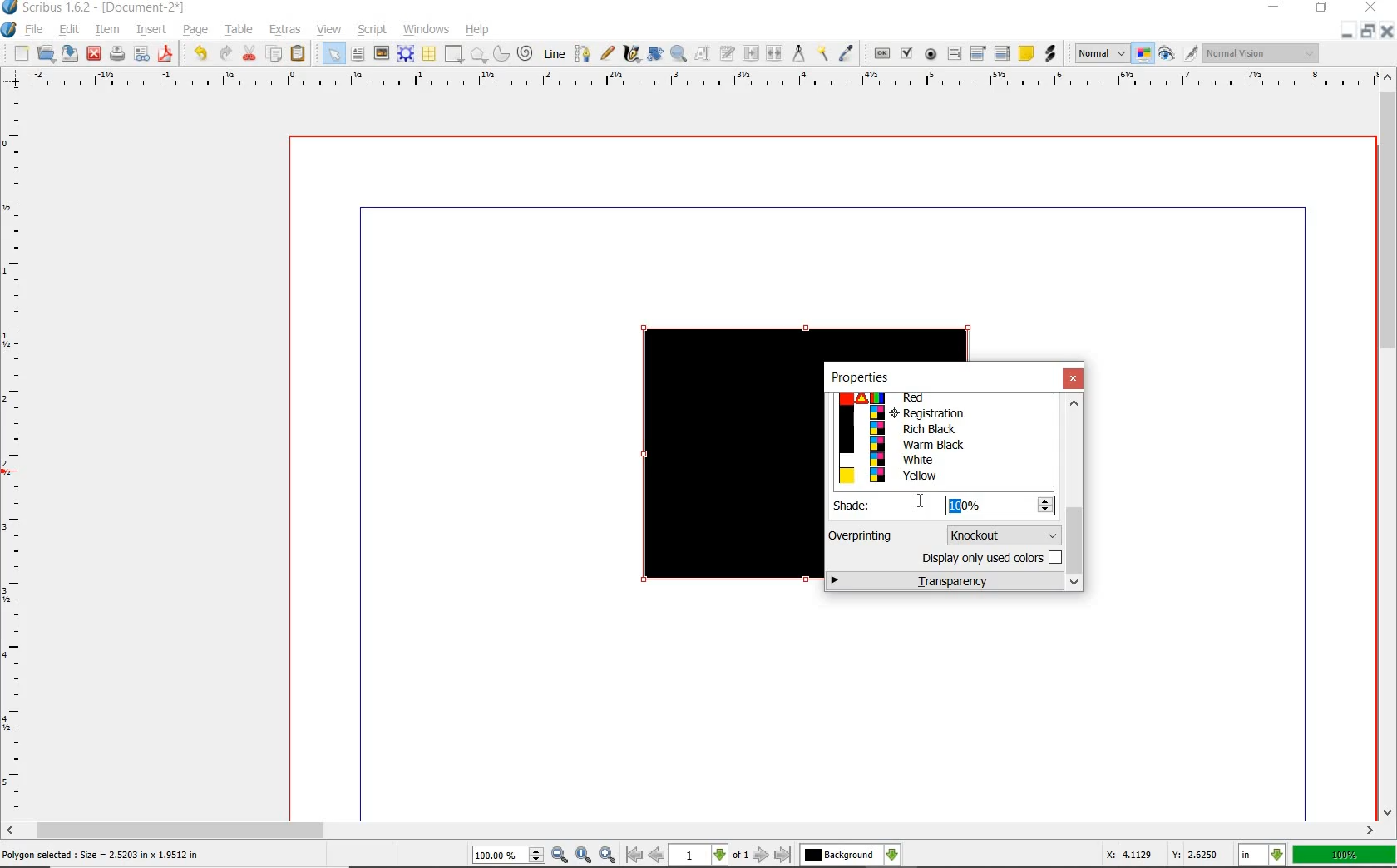 The height and width of the screenshot is (868, 1397). What do you see at coordinates (863, 506) in the screenshot?
I see `Shade:` at bounding box center [863, 506].